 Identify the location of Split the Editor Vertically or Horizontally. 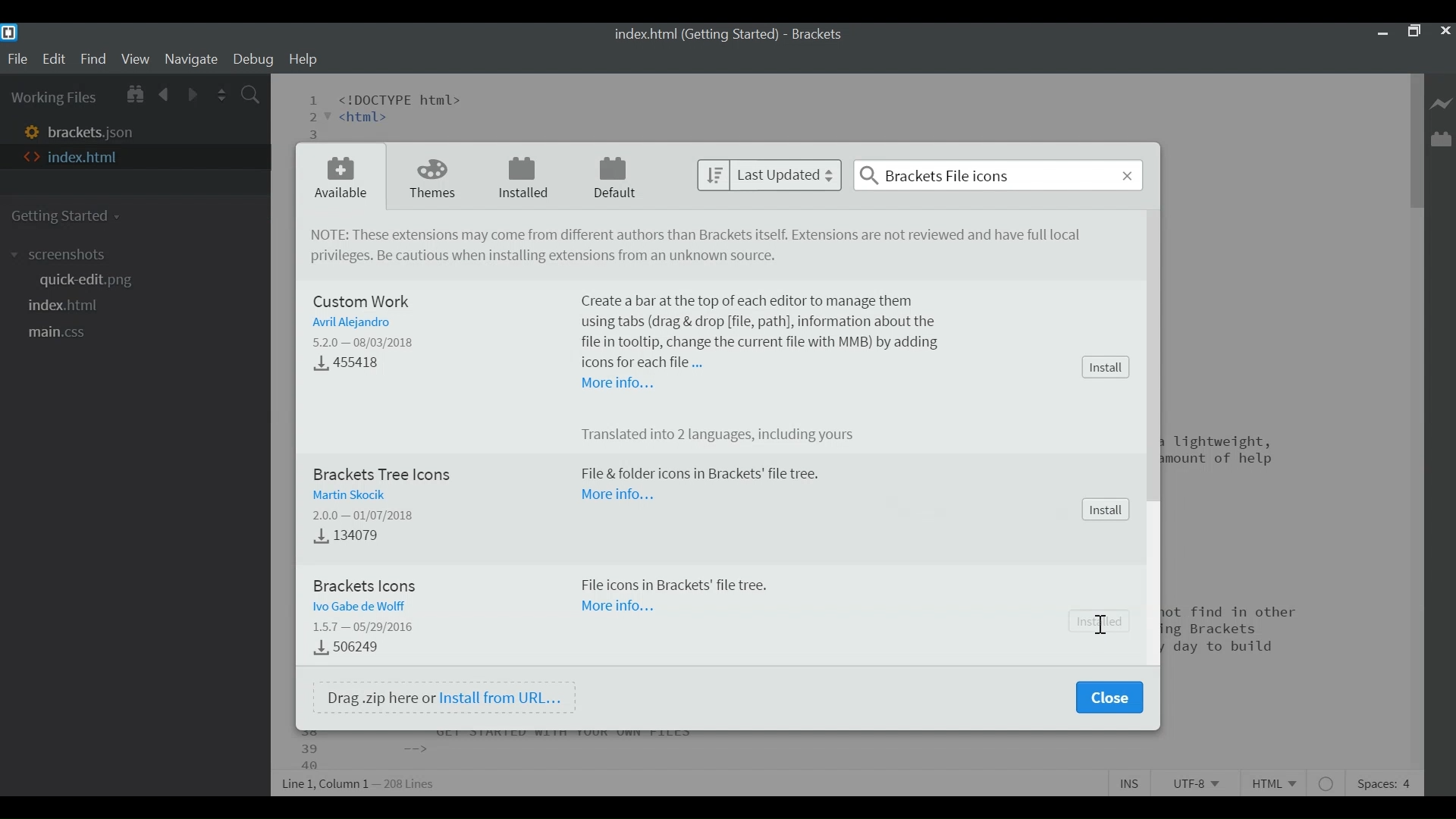
(224, 93).